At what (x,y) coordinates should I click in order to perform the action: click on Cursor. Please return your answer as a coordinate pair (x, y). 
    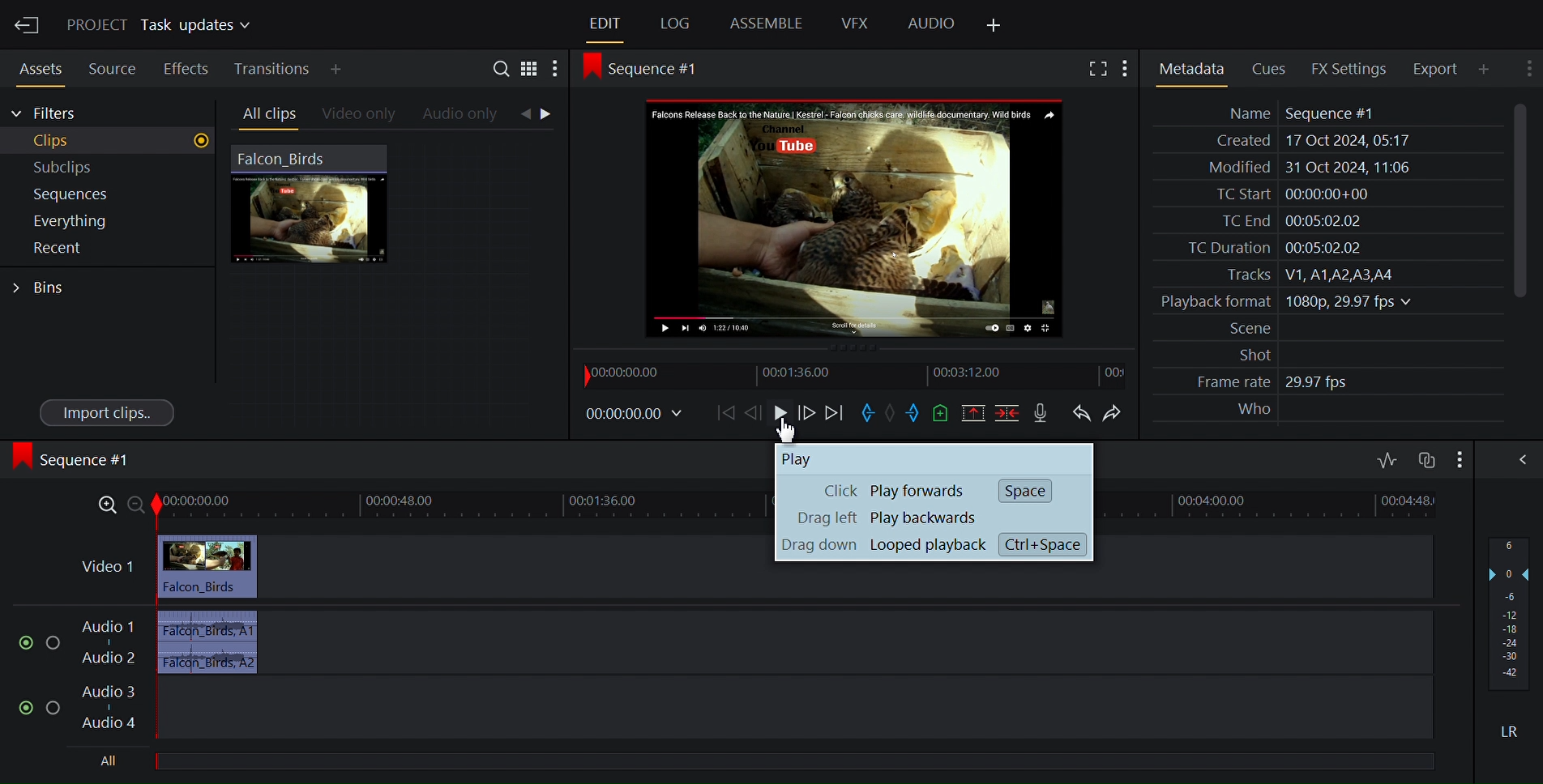
    Looking at the image, I should click on (789, 429).